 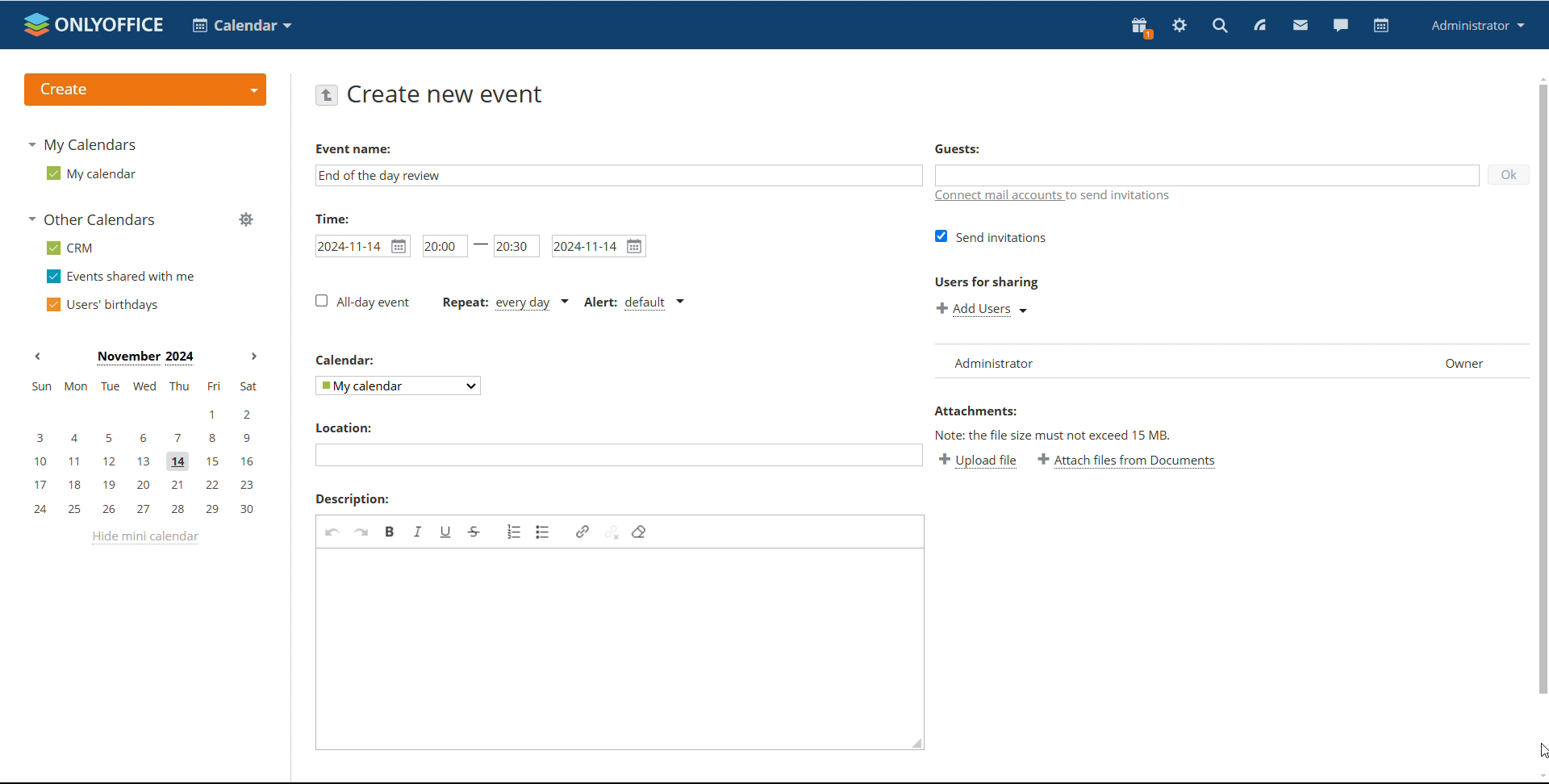 What do you see at coordinates (978, 460) in the screenshot?
I see `upload file` at bounding box center [978, 460].